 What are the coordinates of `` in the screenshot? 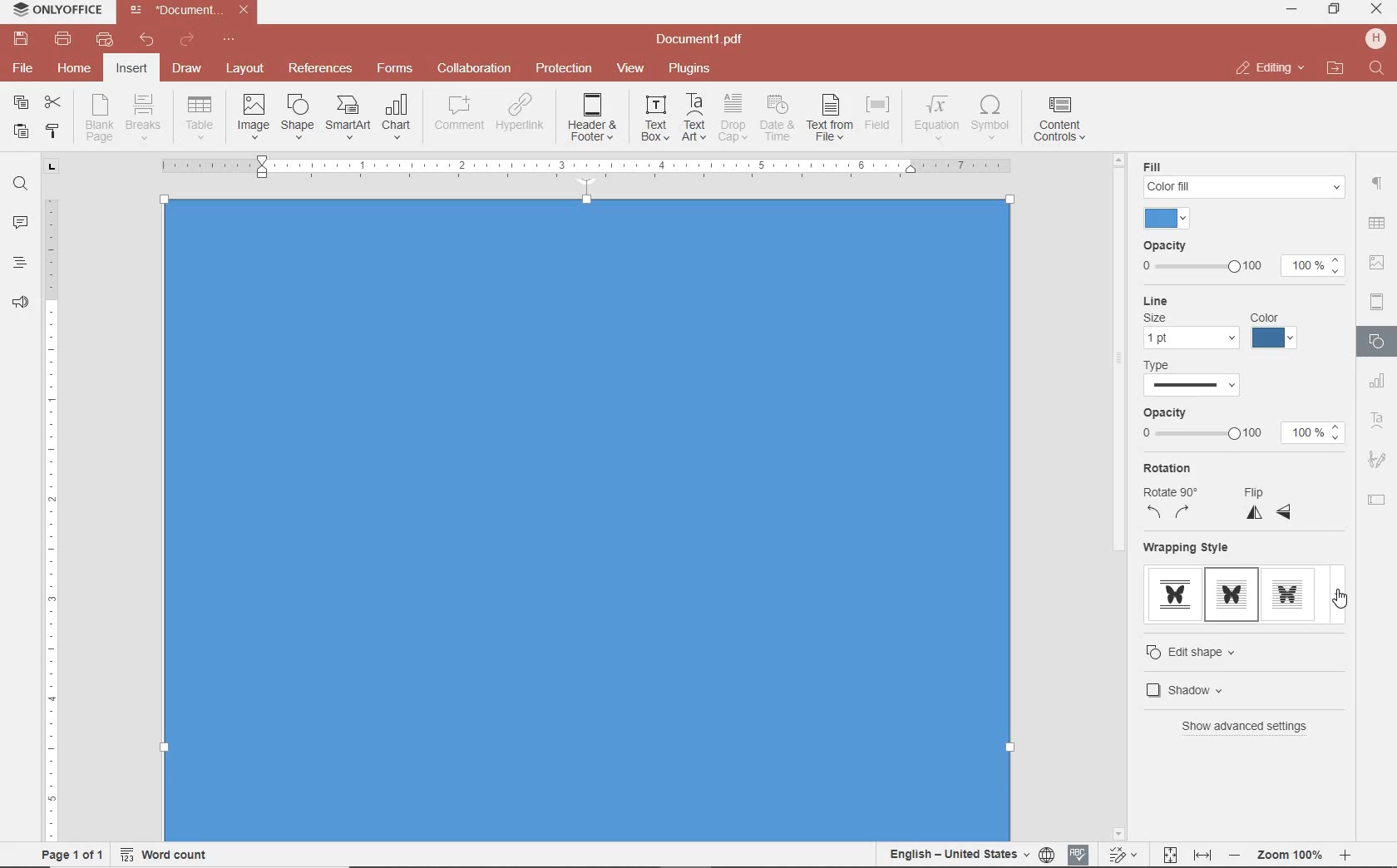 It's located at (1375, 224).